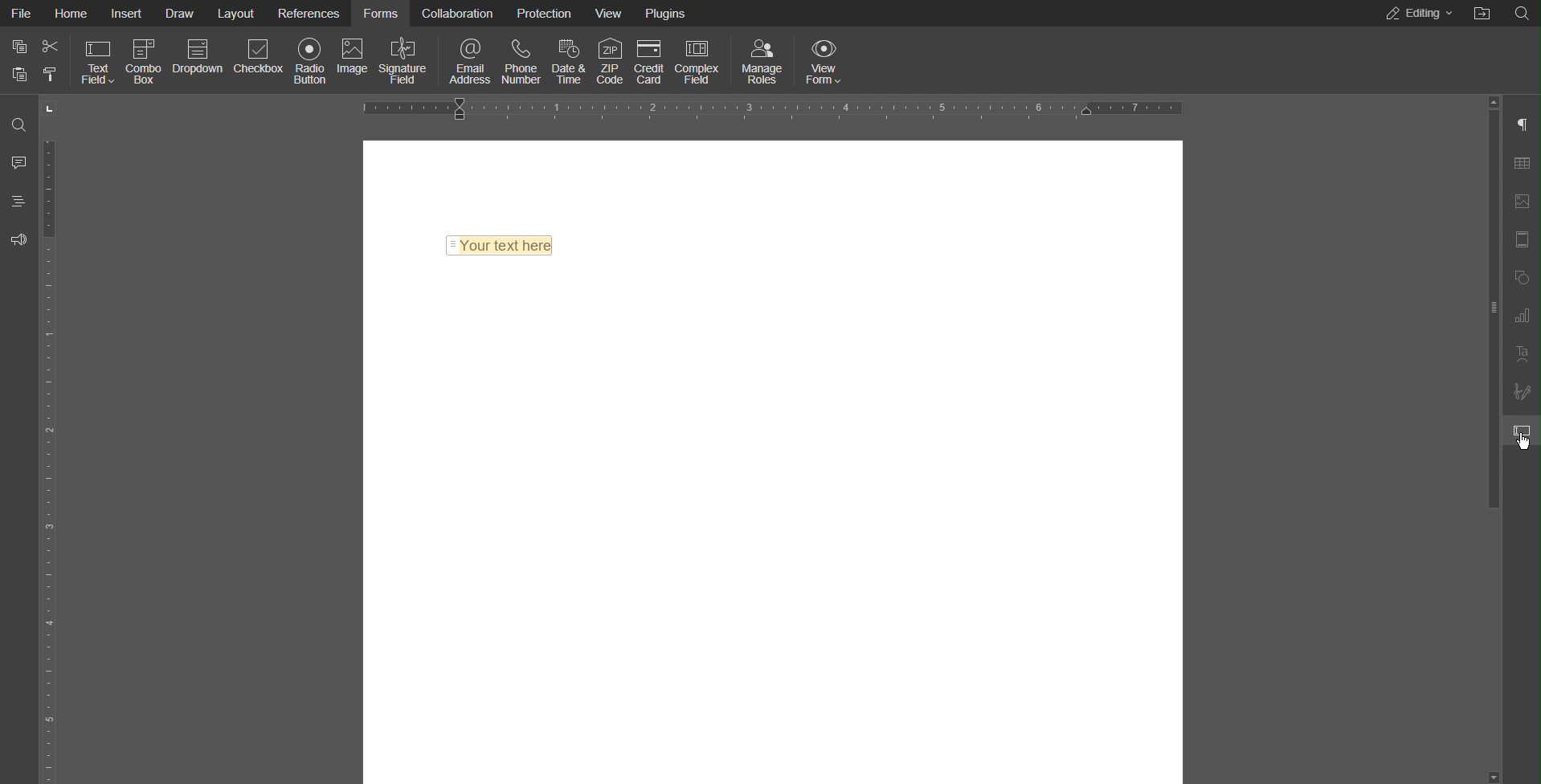 The width and height of the screenshot is (1541, 784). Describe the element at coordinates (309, 11) in the screenshot. I see `References` at that location.